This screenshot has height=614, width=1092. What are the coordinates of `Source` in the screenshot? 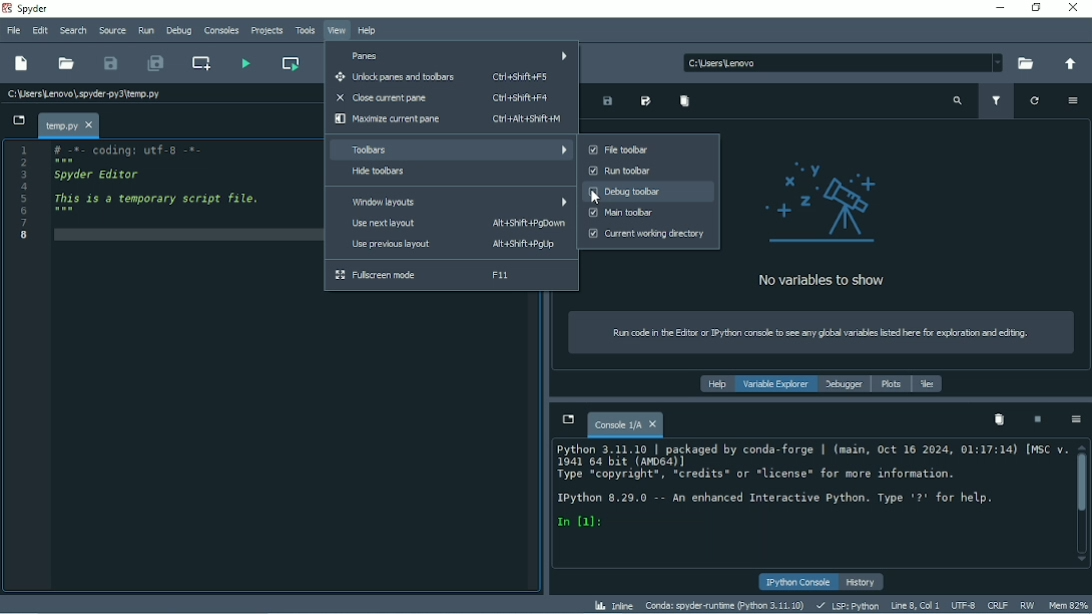 It's located at (112, 30).